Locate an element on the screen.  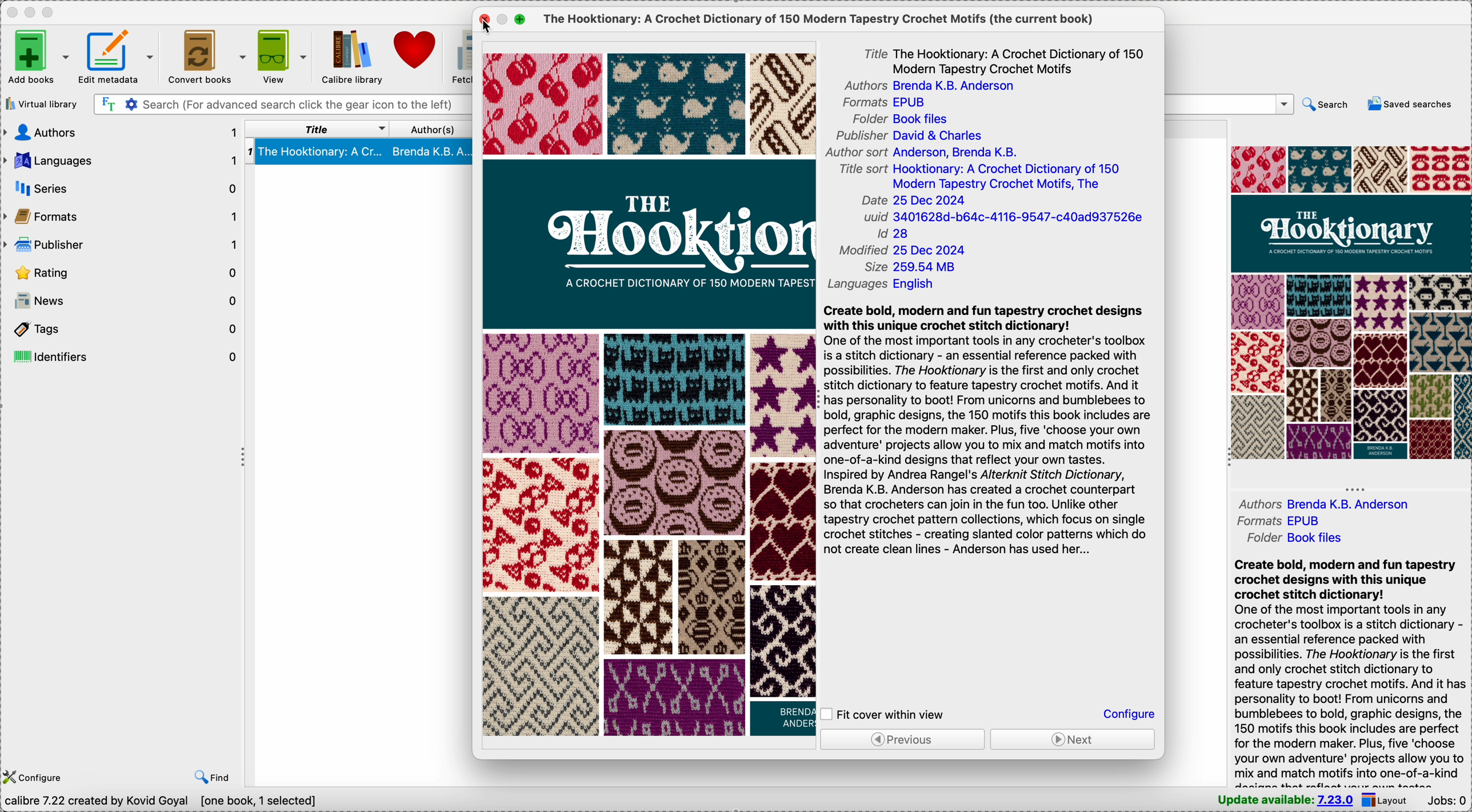
double click on book cover preview is located at coordinates (1350, 303).